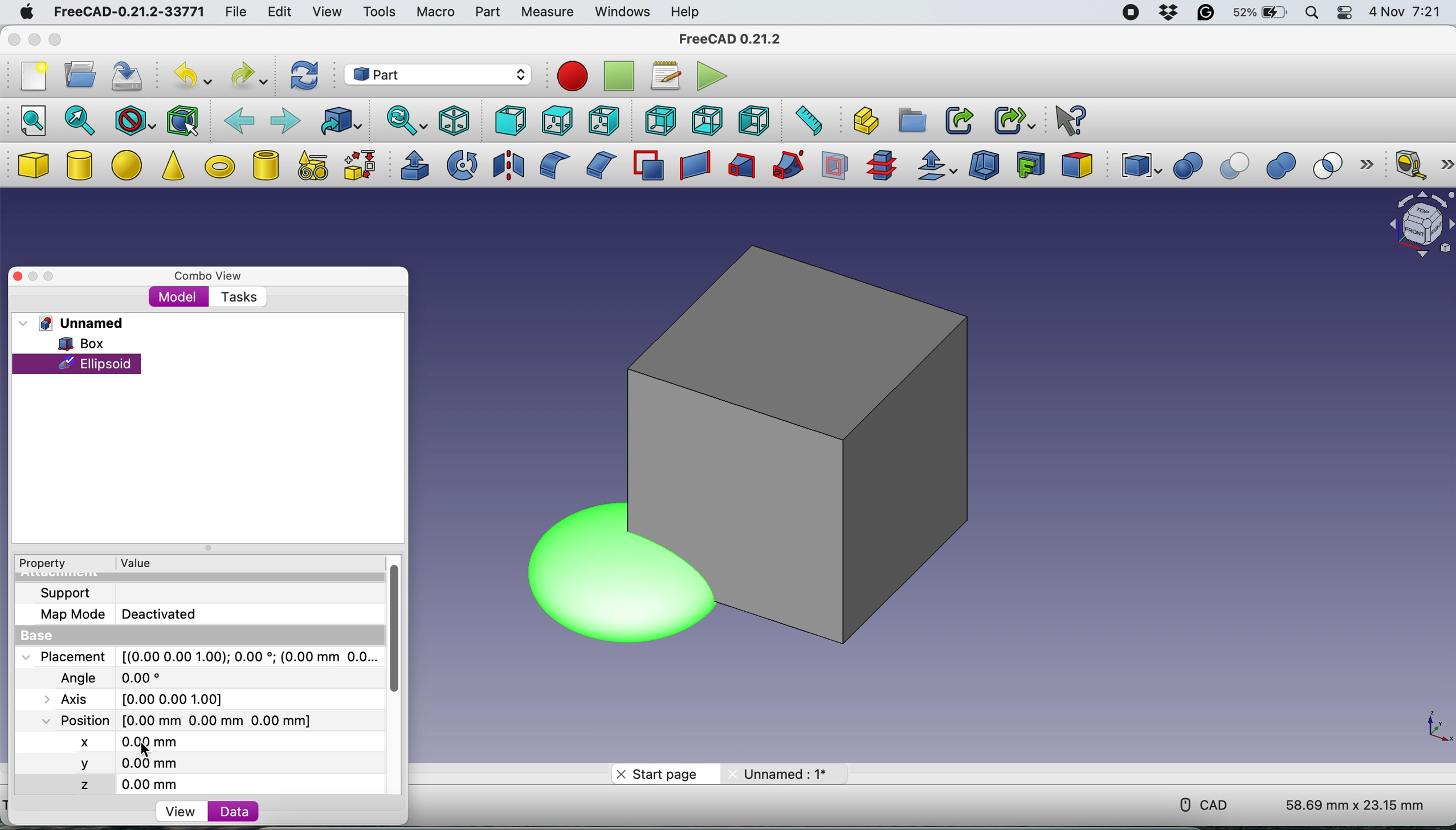  What do you see at coordinates (127, 13) in the screenshot?
I see `FreeCAD-0.21.2-33771` at bounding box center [127, 13].